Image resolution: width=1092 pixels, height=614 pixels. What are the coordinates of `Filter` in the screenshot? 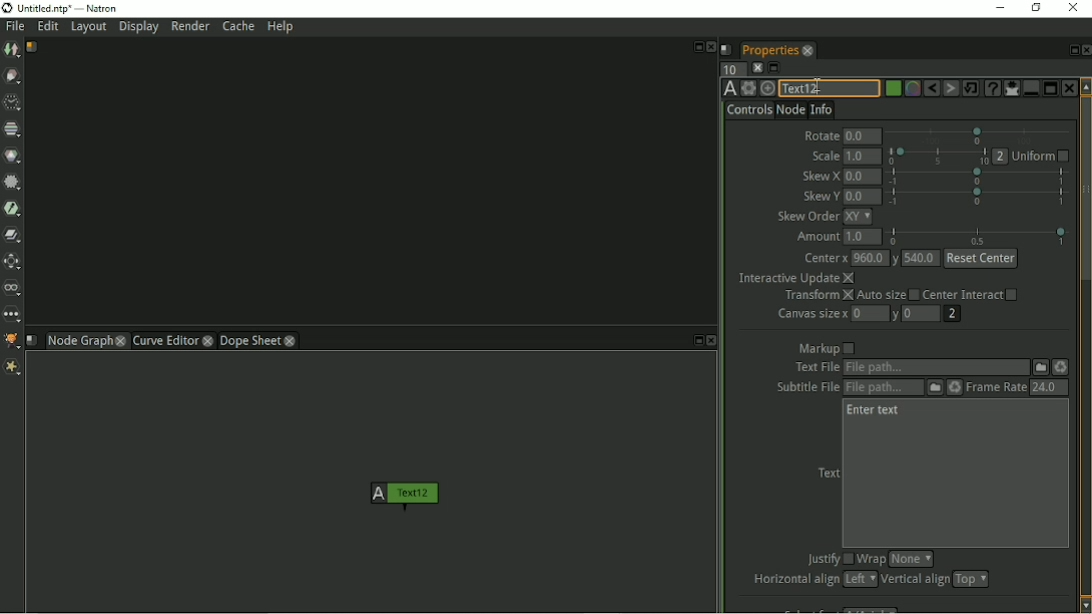 It's located at (13, 185).